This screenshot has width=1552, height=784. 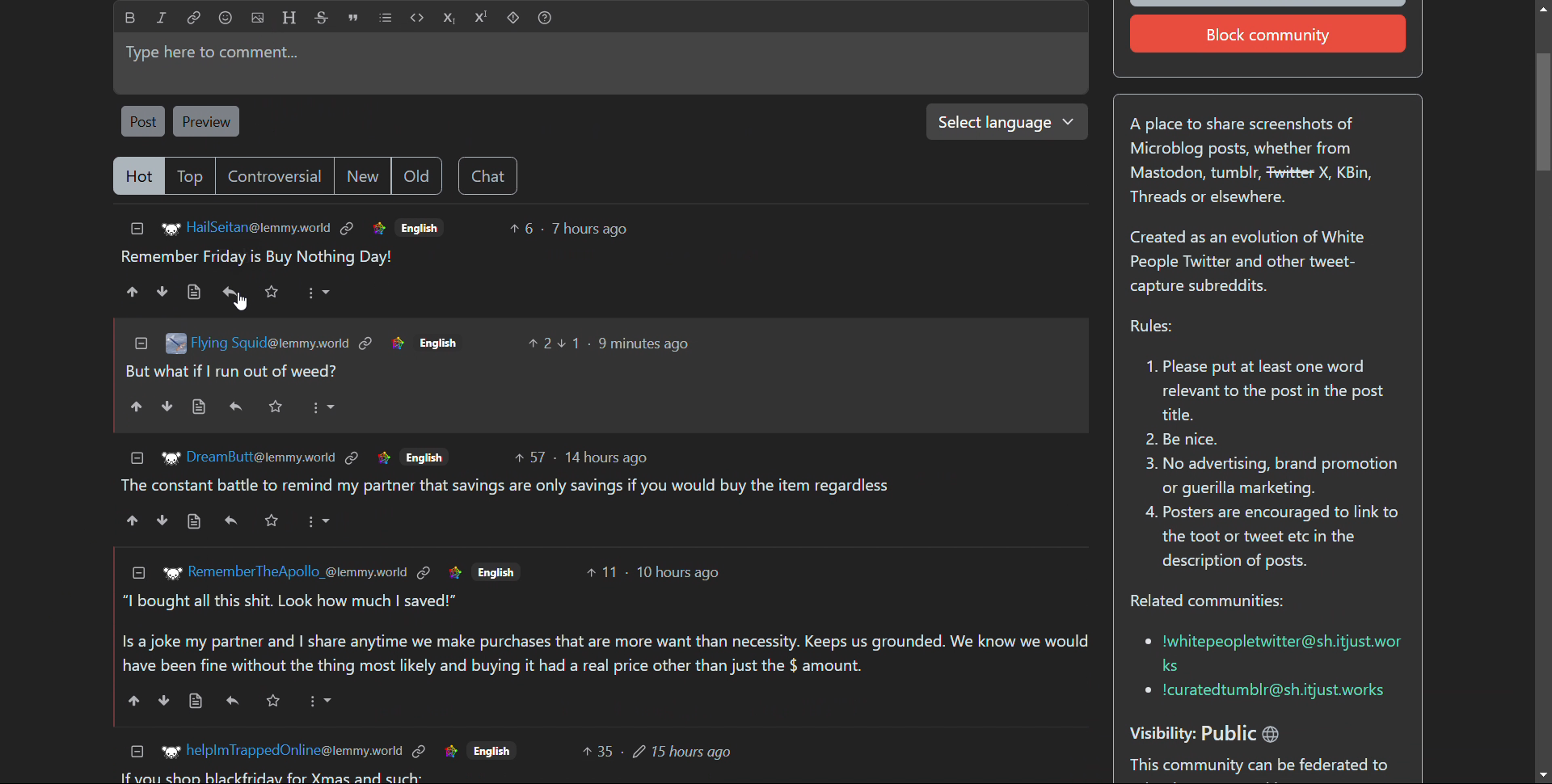 I want to click on view source, so click(x=194, y=522).